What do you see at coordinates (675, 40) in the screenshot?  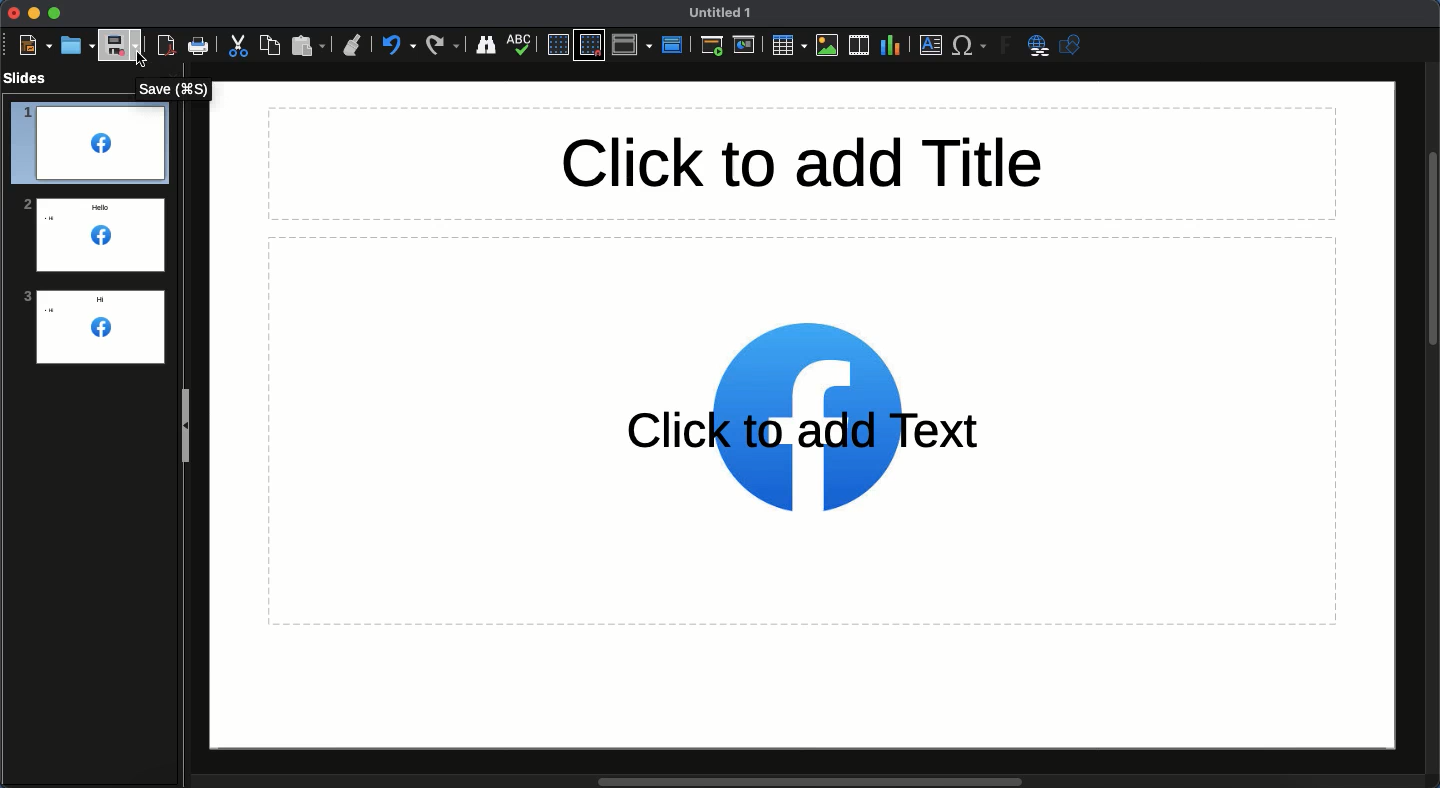 I see `Master slide` at bounding box center [675, 40].